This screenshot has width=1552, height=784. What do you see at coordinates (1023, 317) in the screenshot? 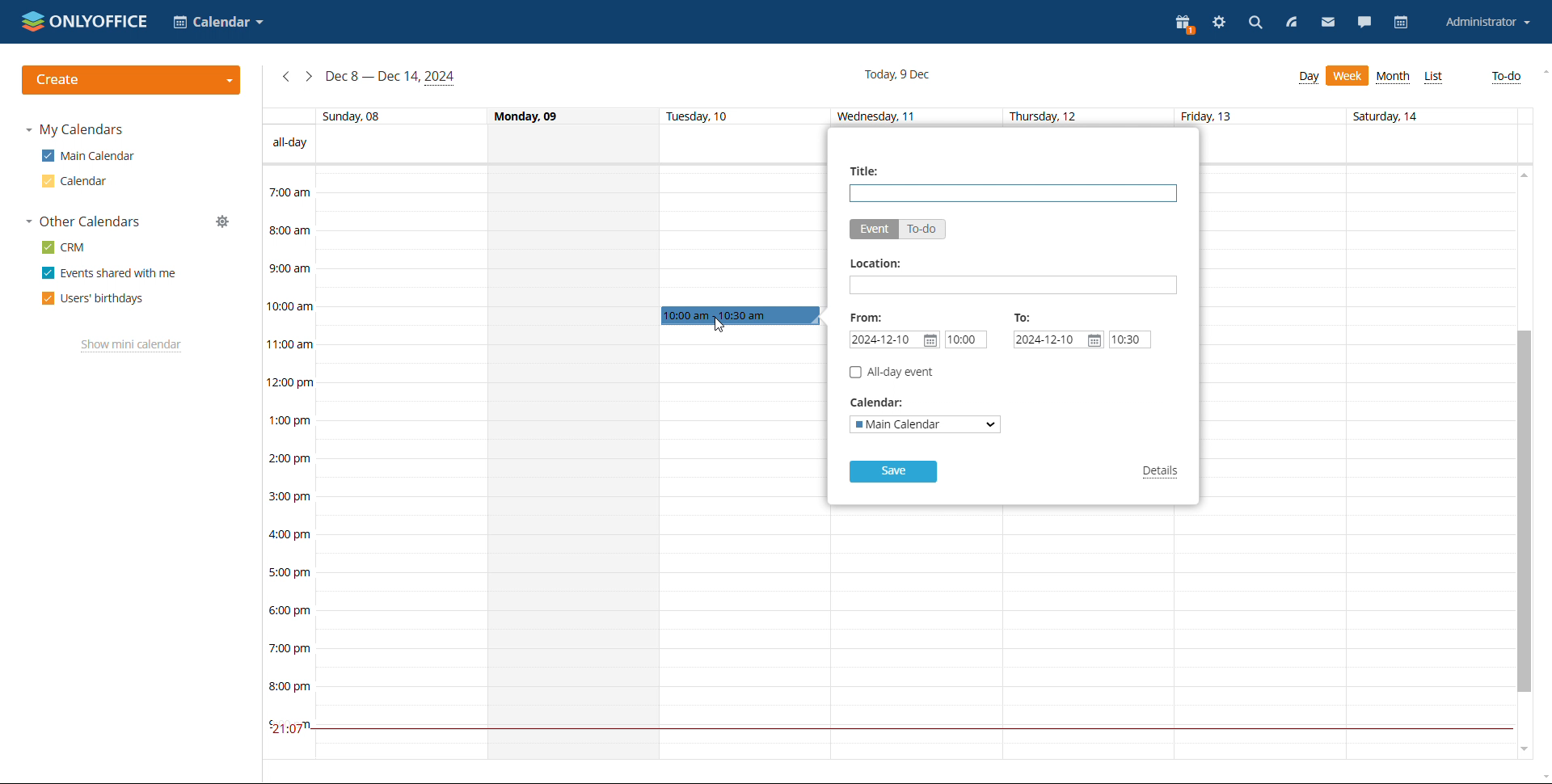
I see `To:` at bounding box center [1023, 317].